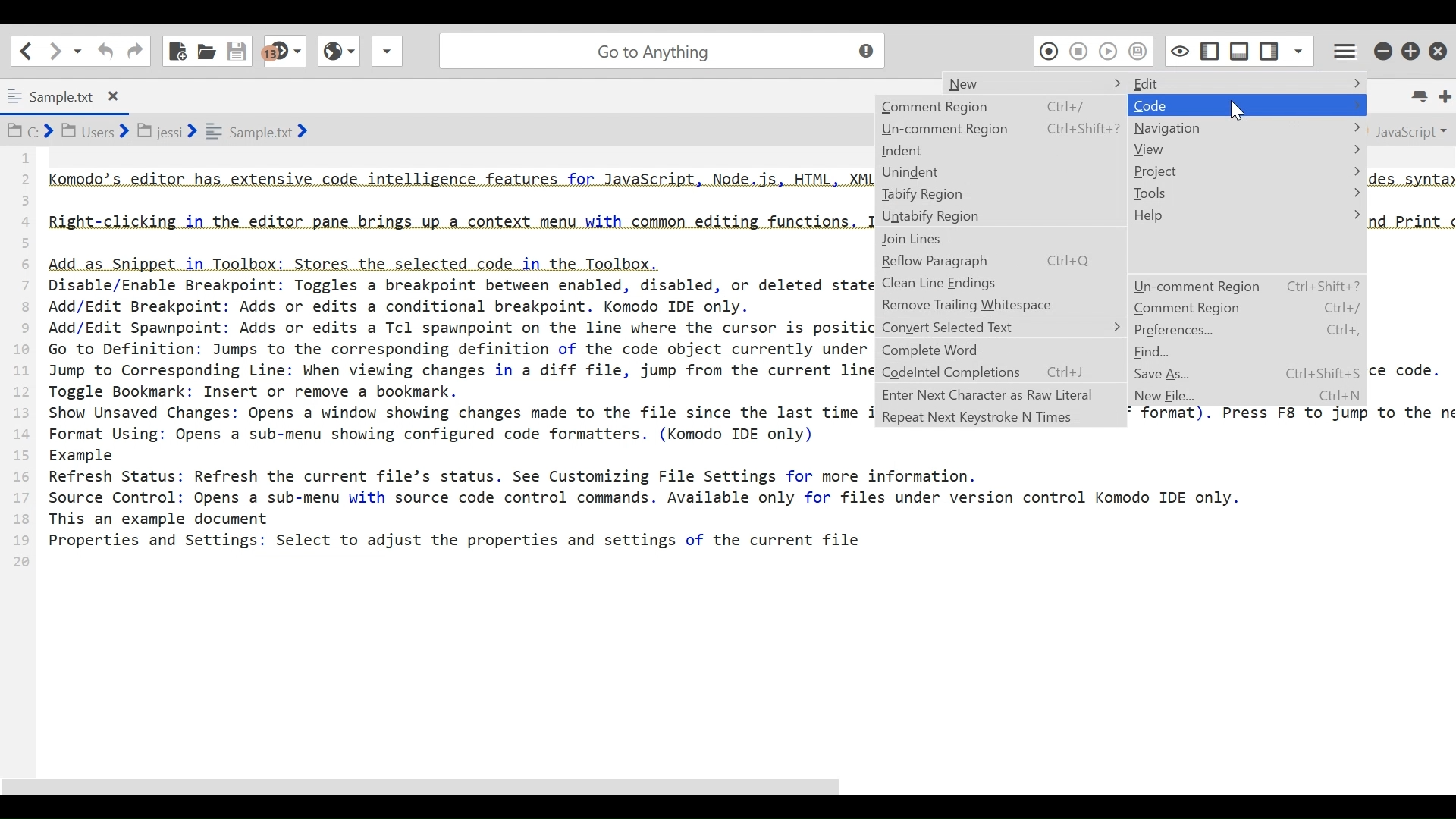 The height and width of the screenshot is (819, 1456). Describe the element at coordinates (1237, 112) in the screenshot. I see `Cursor` at that location.